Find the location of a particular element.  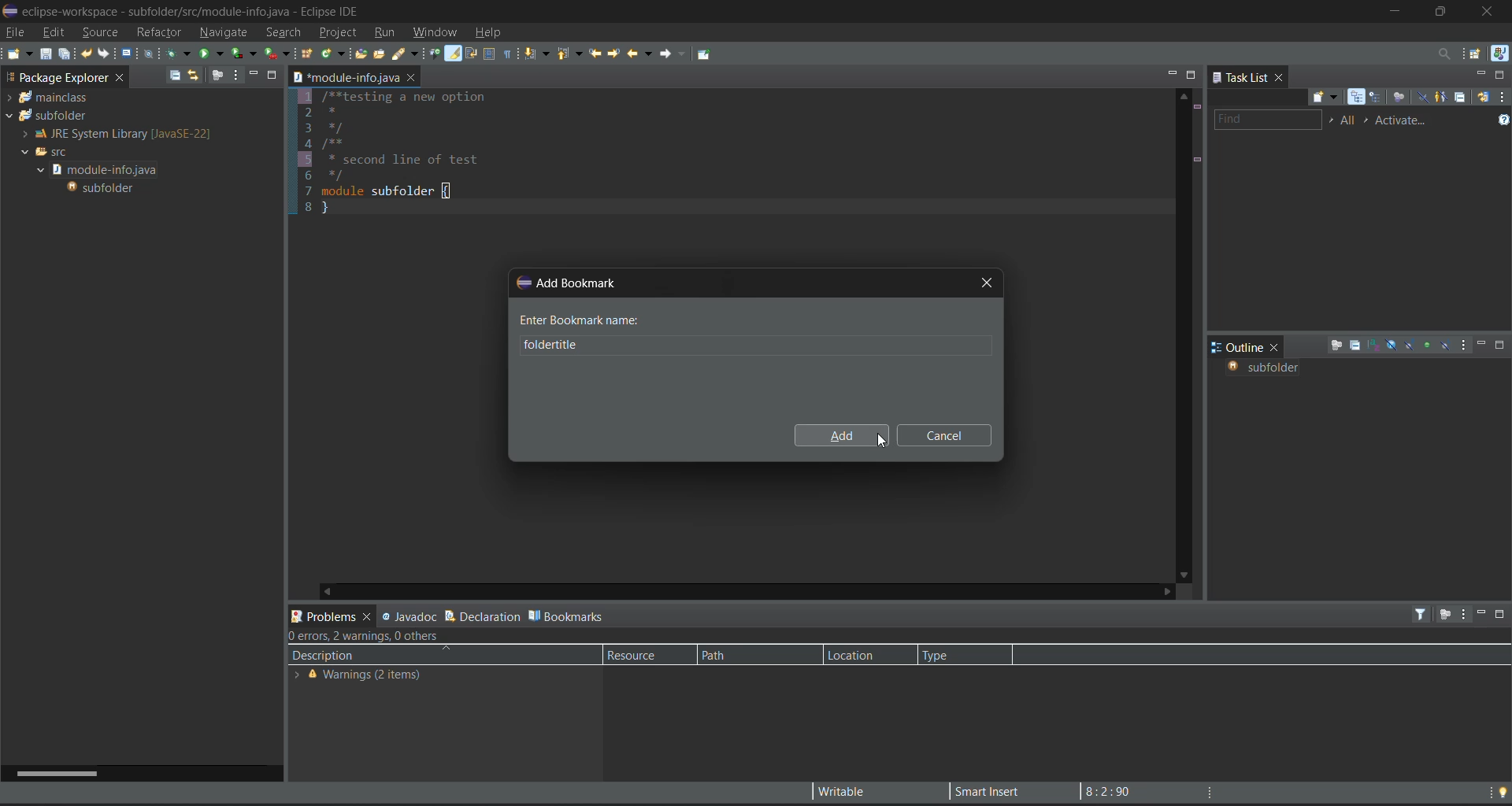

minimize is located at coordinates (1396, 10).